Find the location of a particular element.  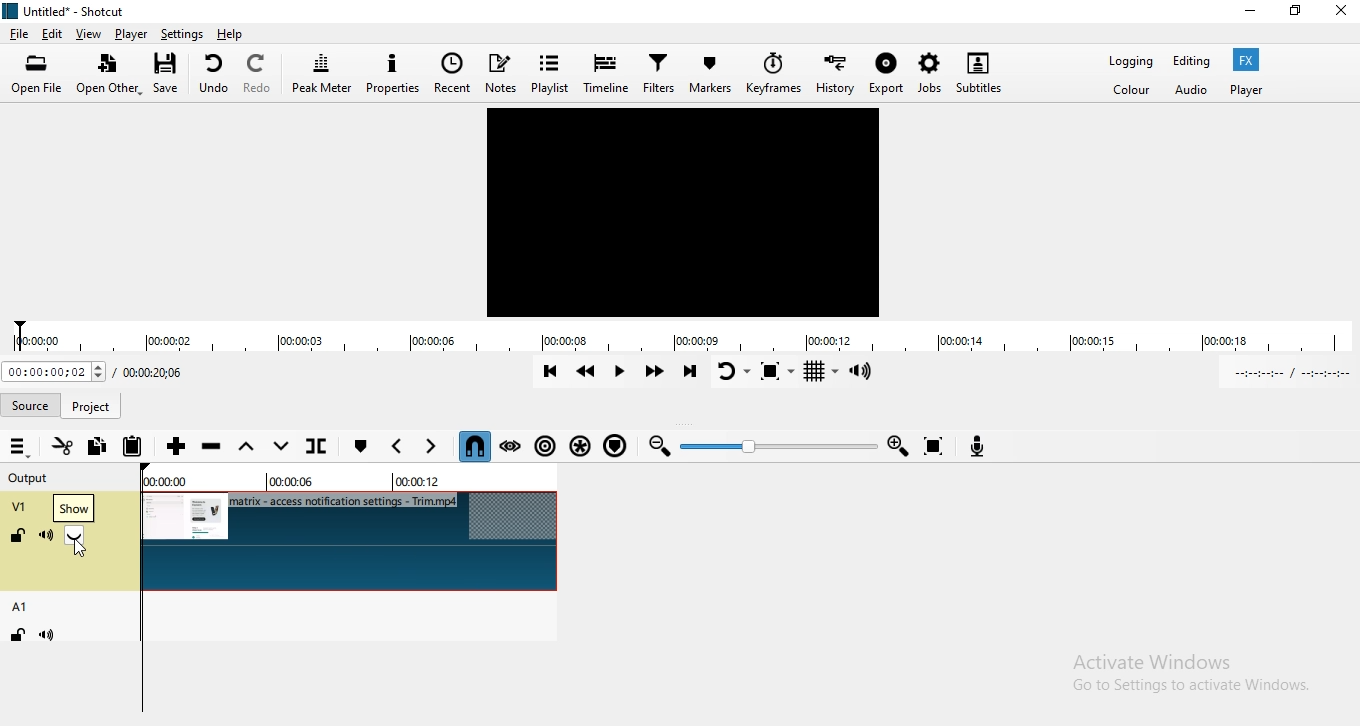

create/edit marker is located at coordinates (362, 445).